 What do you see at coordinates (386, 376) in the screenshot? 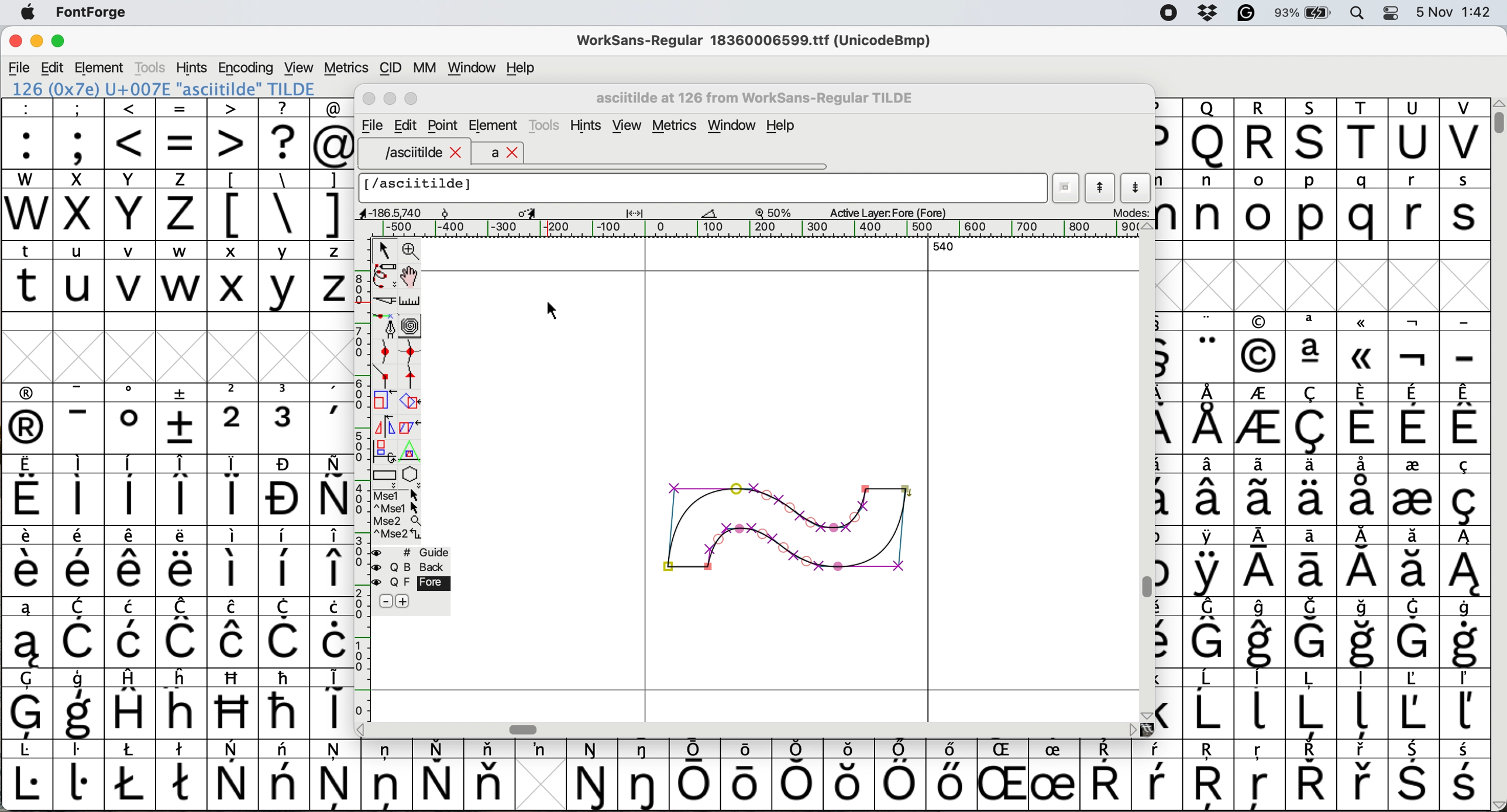
I see `add a comer point` at bounding box center [386, 376].